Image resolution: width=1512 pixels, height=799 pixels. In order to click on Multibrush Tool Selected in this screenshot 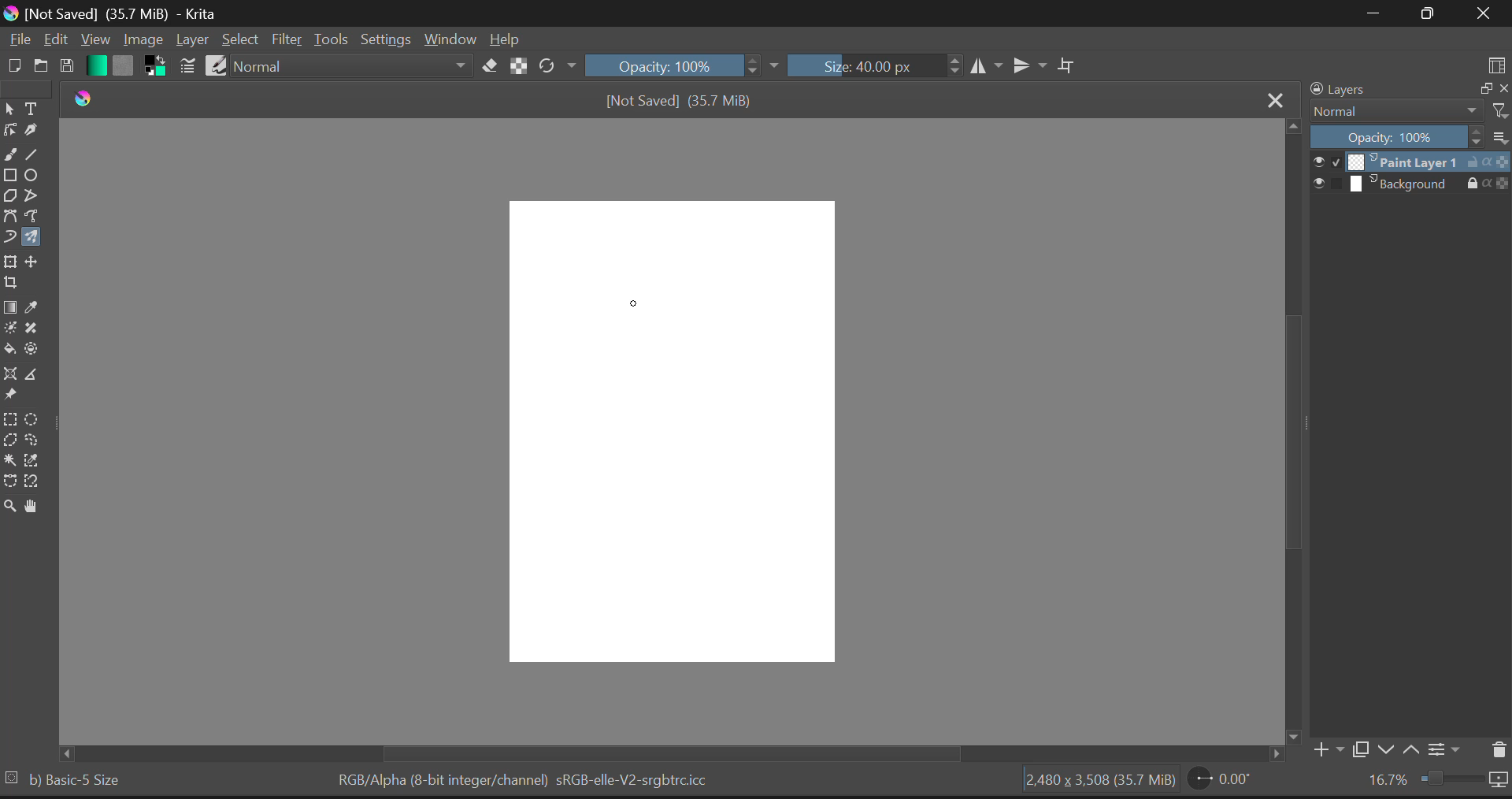, I will do `click(35, 236)`.